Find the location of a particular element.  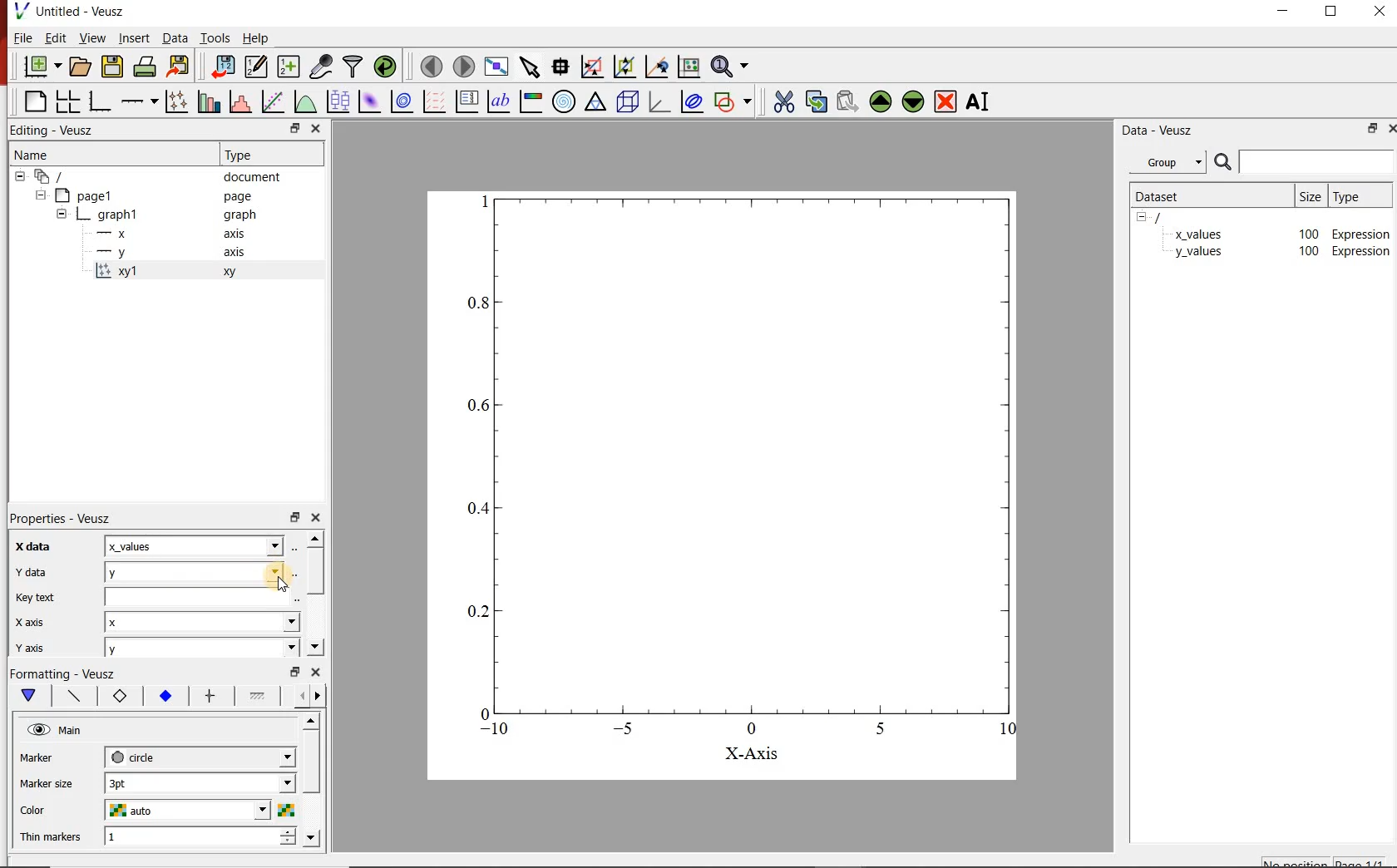

click or draw a rectangle to zoom on graph axes is located at coordinates (592, 67).